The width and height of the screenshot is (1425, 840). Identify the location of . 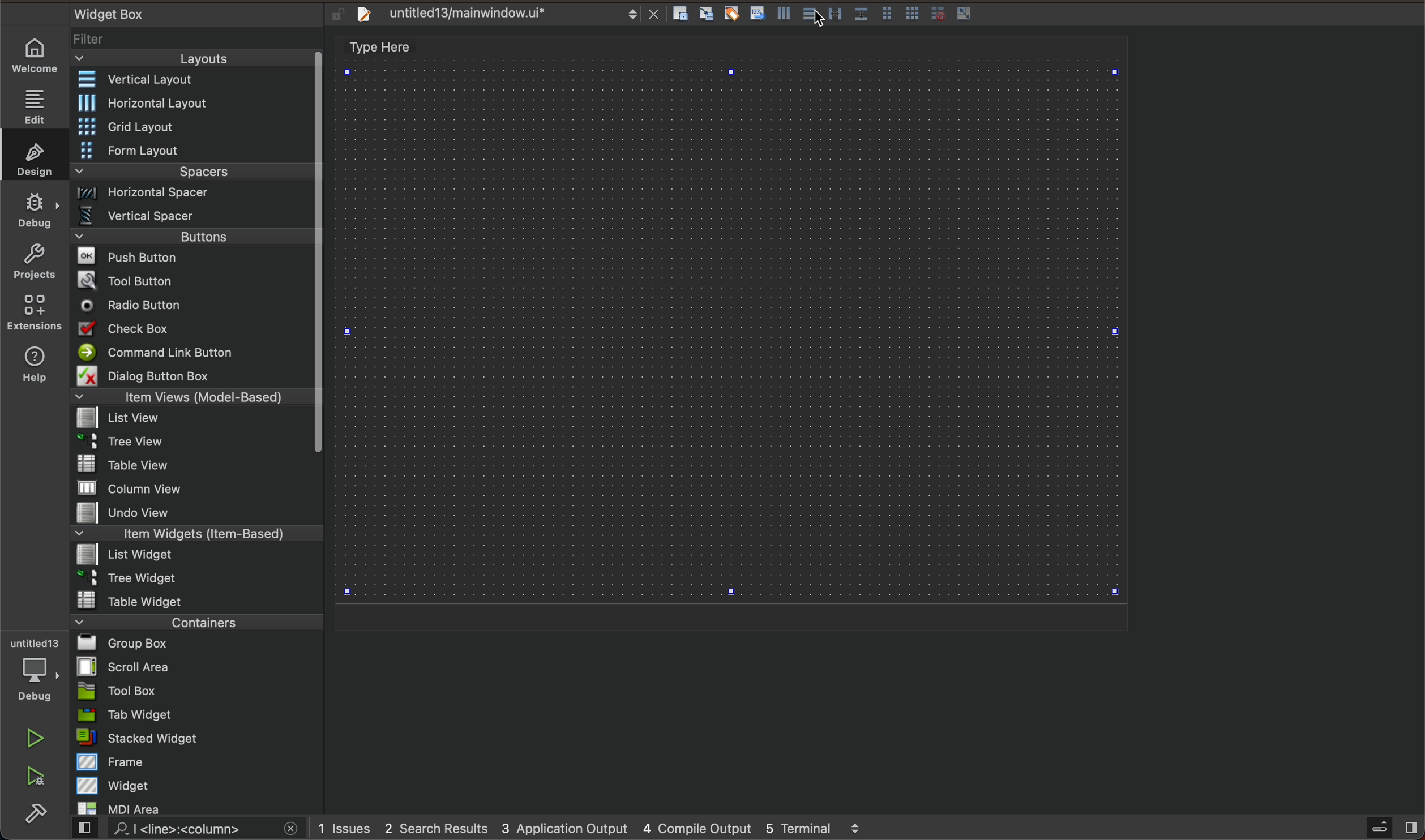
(938, 14).